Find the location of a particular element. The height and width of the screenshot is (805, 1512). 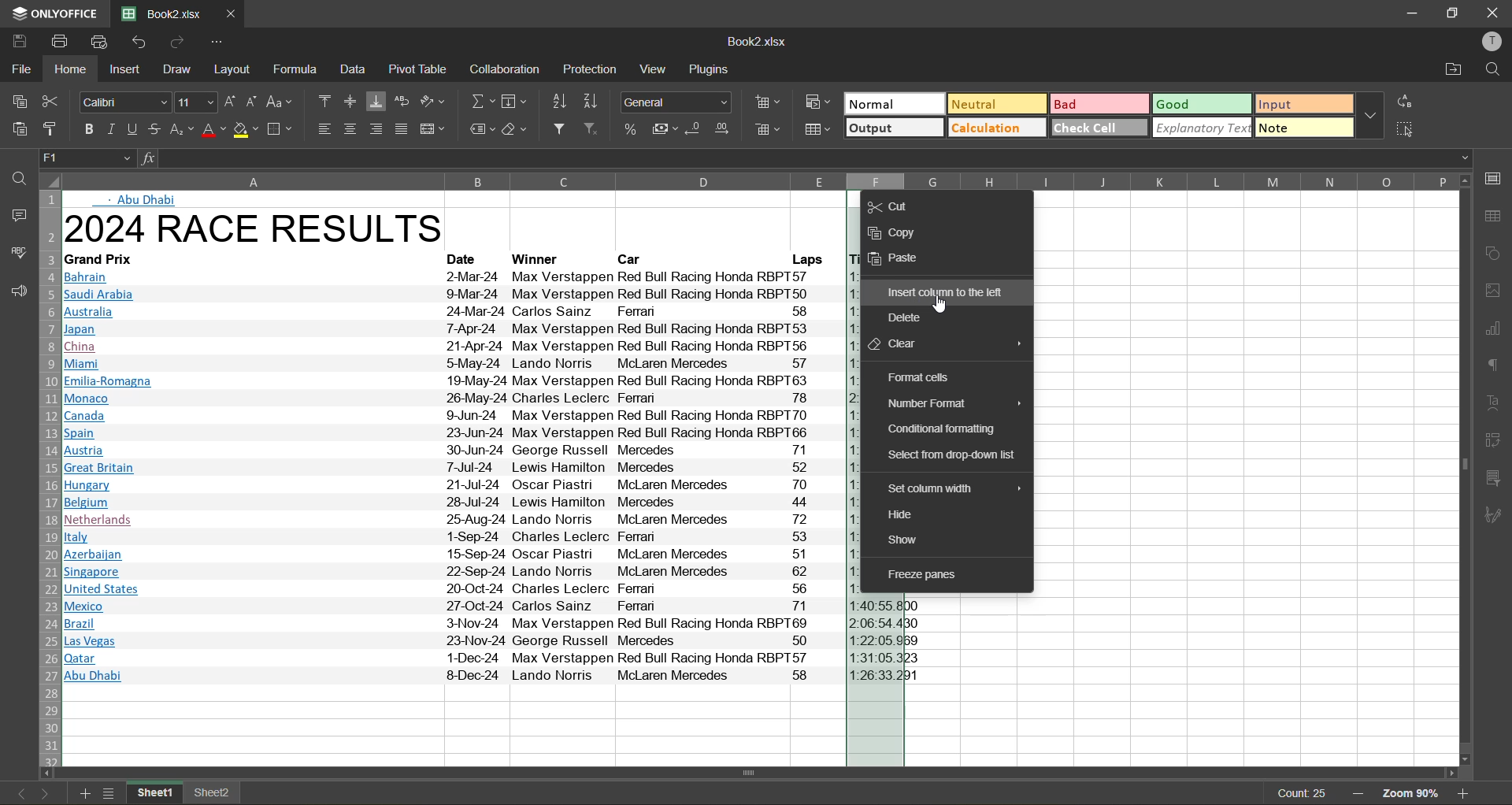

cursor is located at coordinates (942, 307).